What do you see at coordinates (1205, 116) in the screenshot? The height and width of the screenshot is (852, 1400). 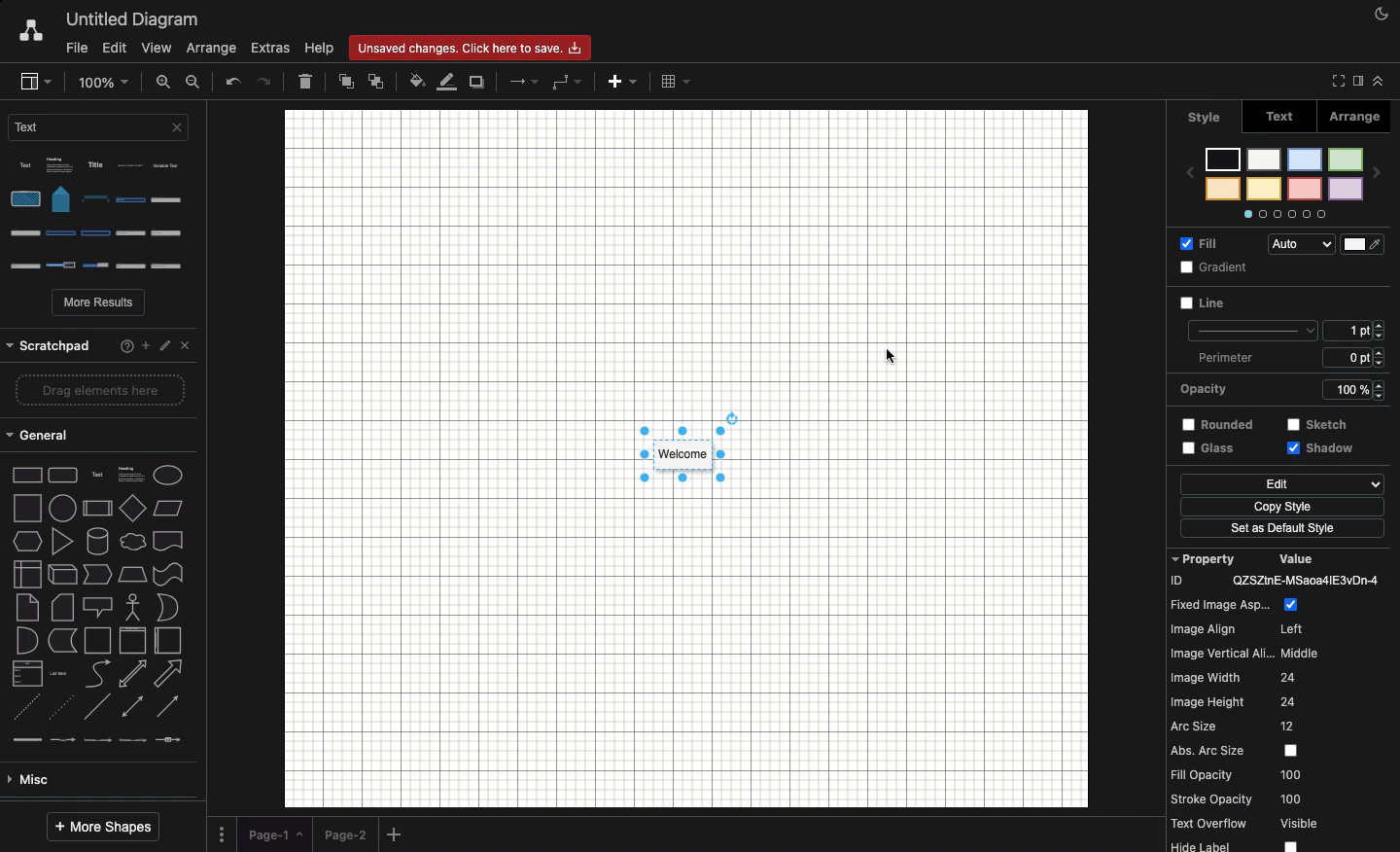 I see `style` at bounding box center [1205, 116].